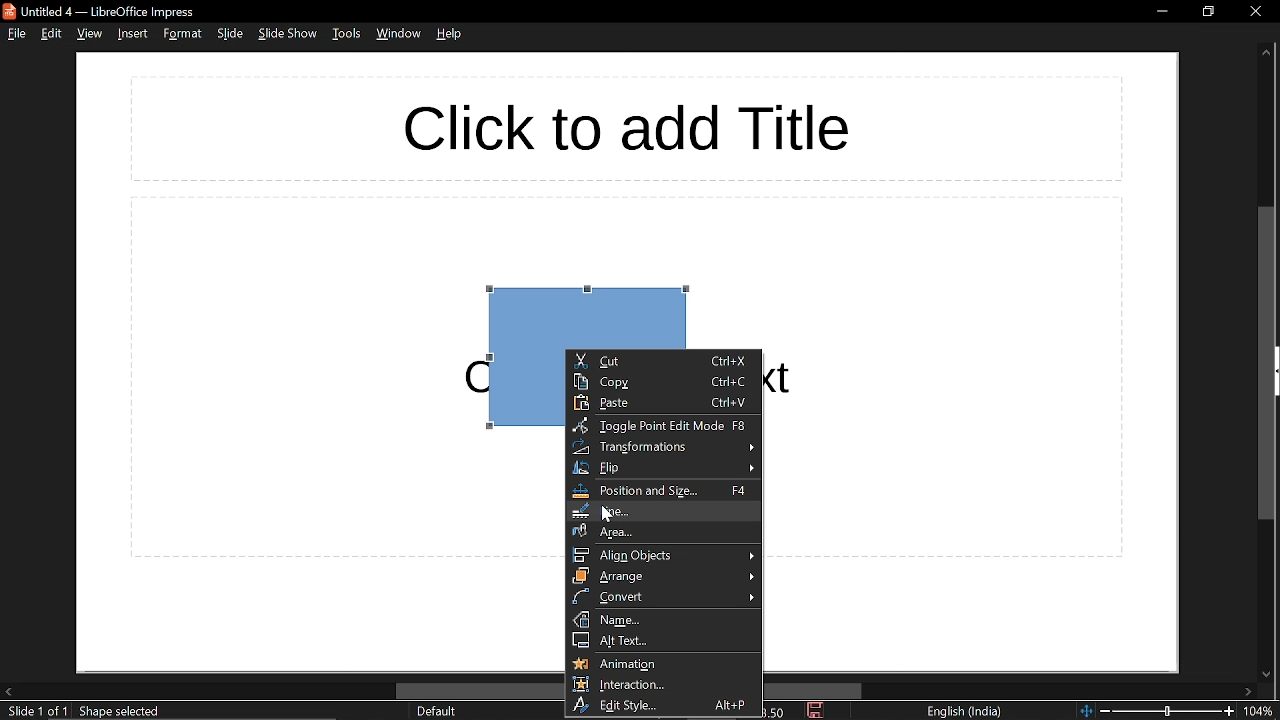 The height and width of the screenshot is (720, 1280). Describe the element at coordinates (667, 618) in the screenshot. I see `name` at that location.